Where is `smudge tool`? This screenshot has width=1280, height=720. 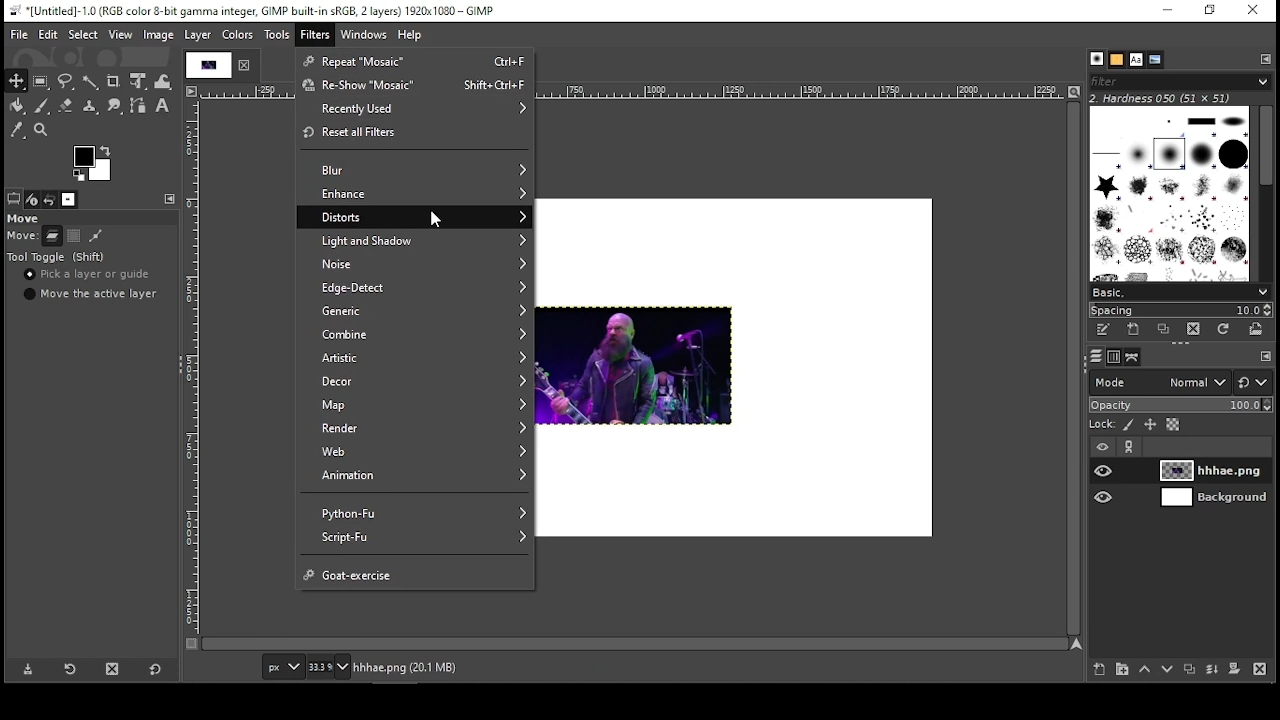 smudge tool is located at coordinates (116, 108).